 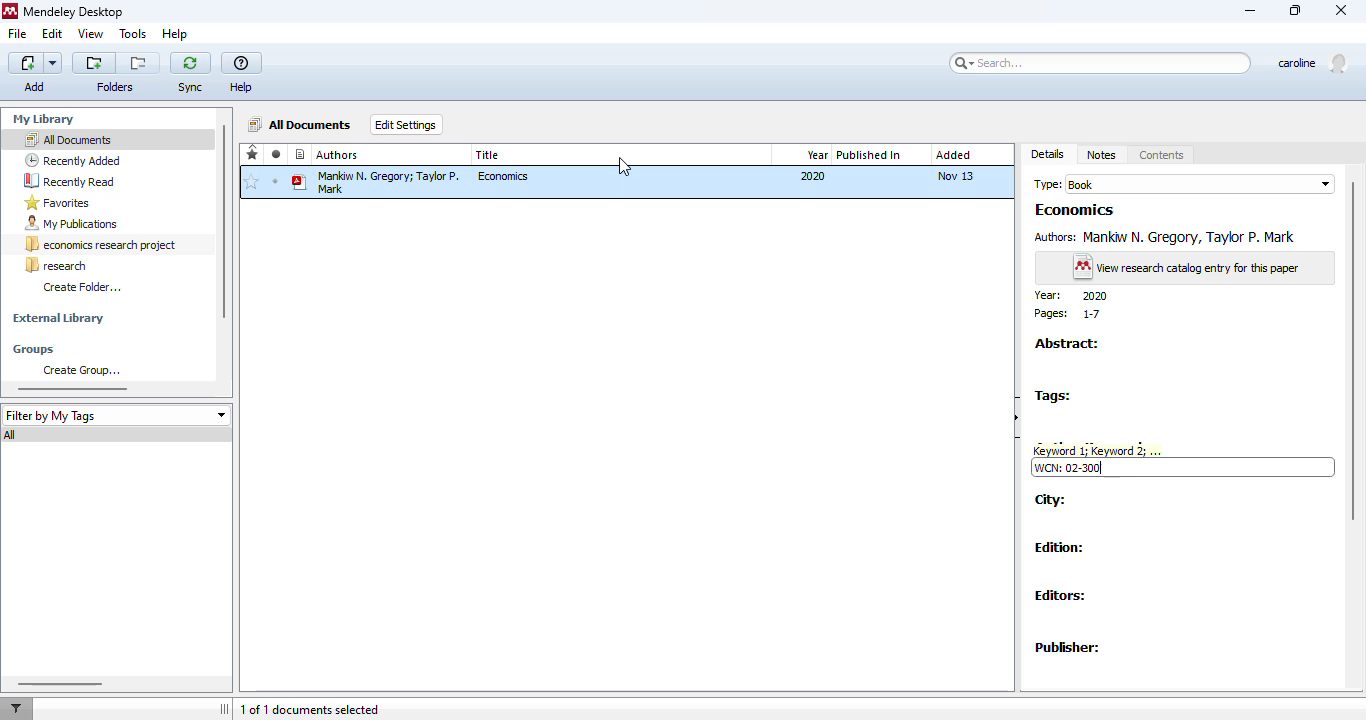 What do you see at coordinates (18, 33) in the screenshot?
I see `file` at bounding box center [18, 33].